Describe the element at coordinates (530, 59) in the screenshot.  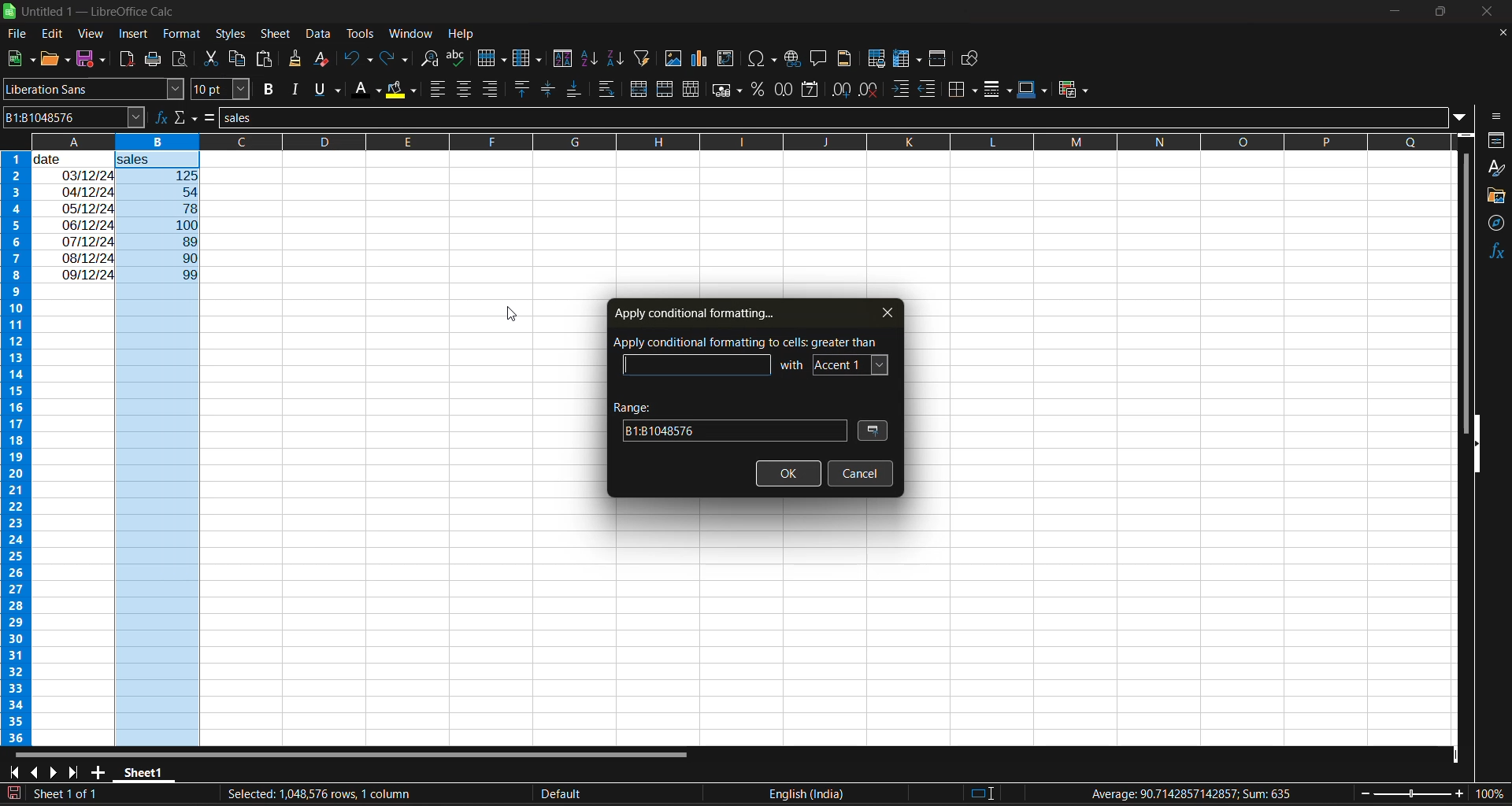
I see `column` at that location.